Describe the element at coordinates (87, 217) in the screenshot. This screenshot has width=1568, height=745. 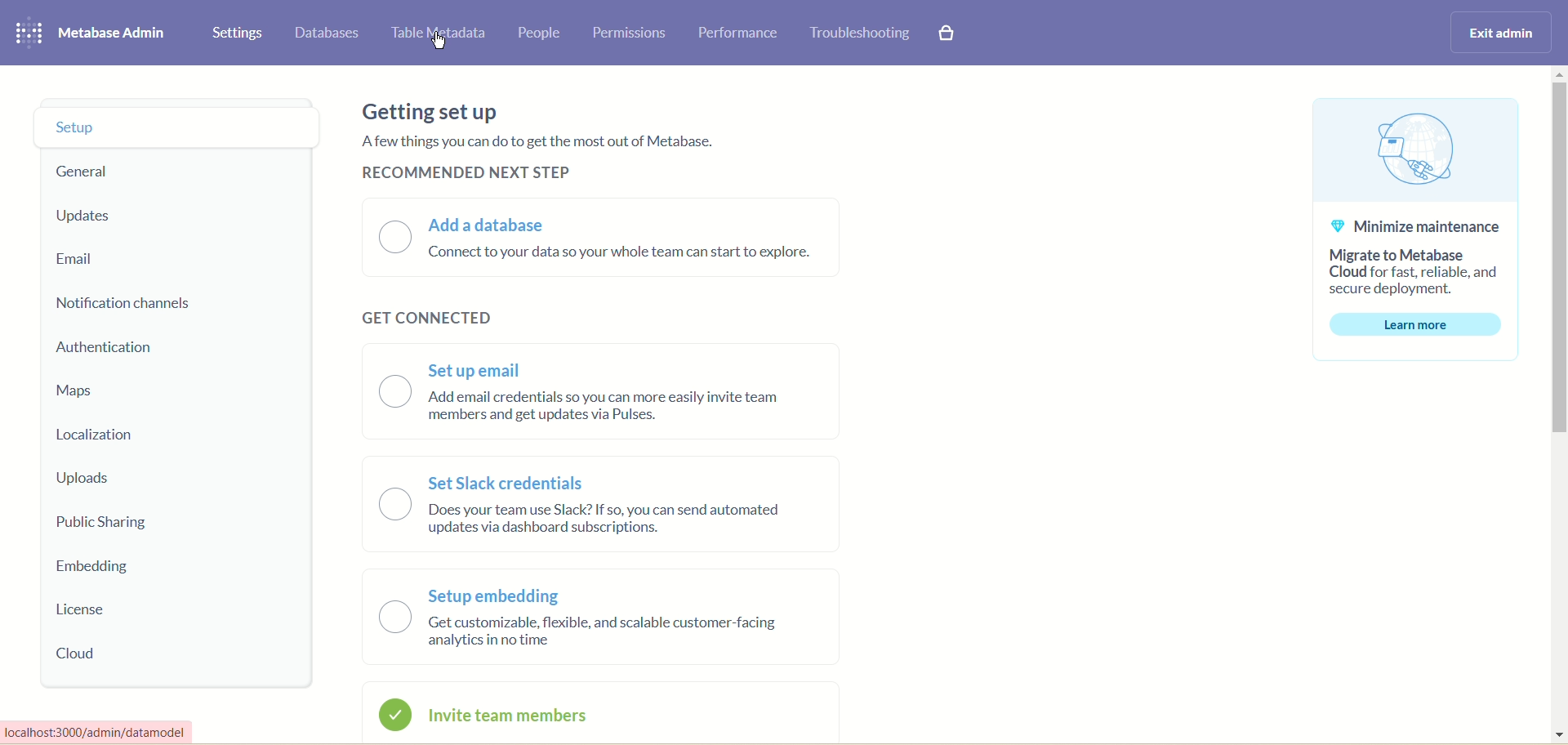
I see `updates` at that location.